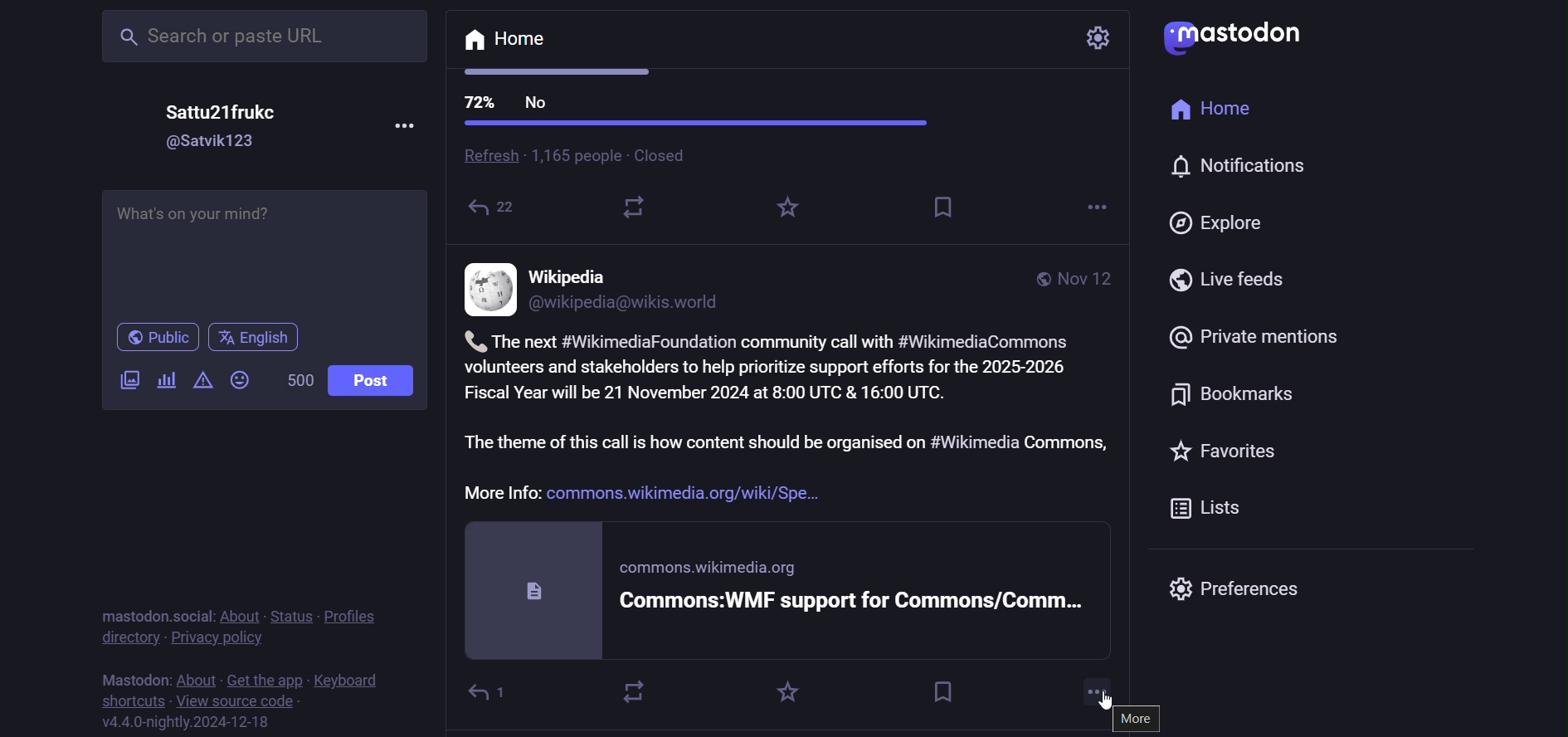 Image resolution: width=1568 pixels, height=737 pixels. I want to click on source code, so click(242, 700).